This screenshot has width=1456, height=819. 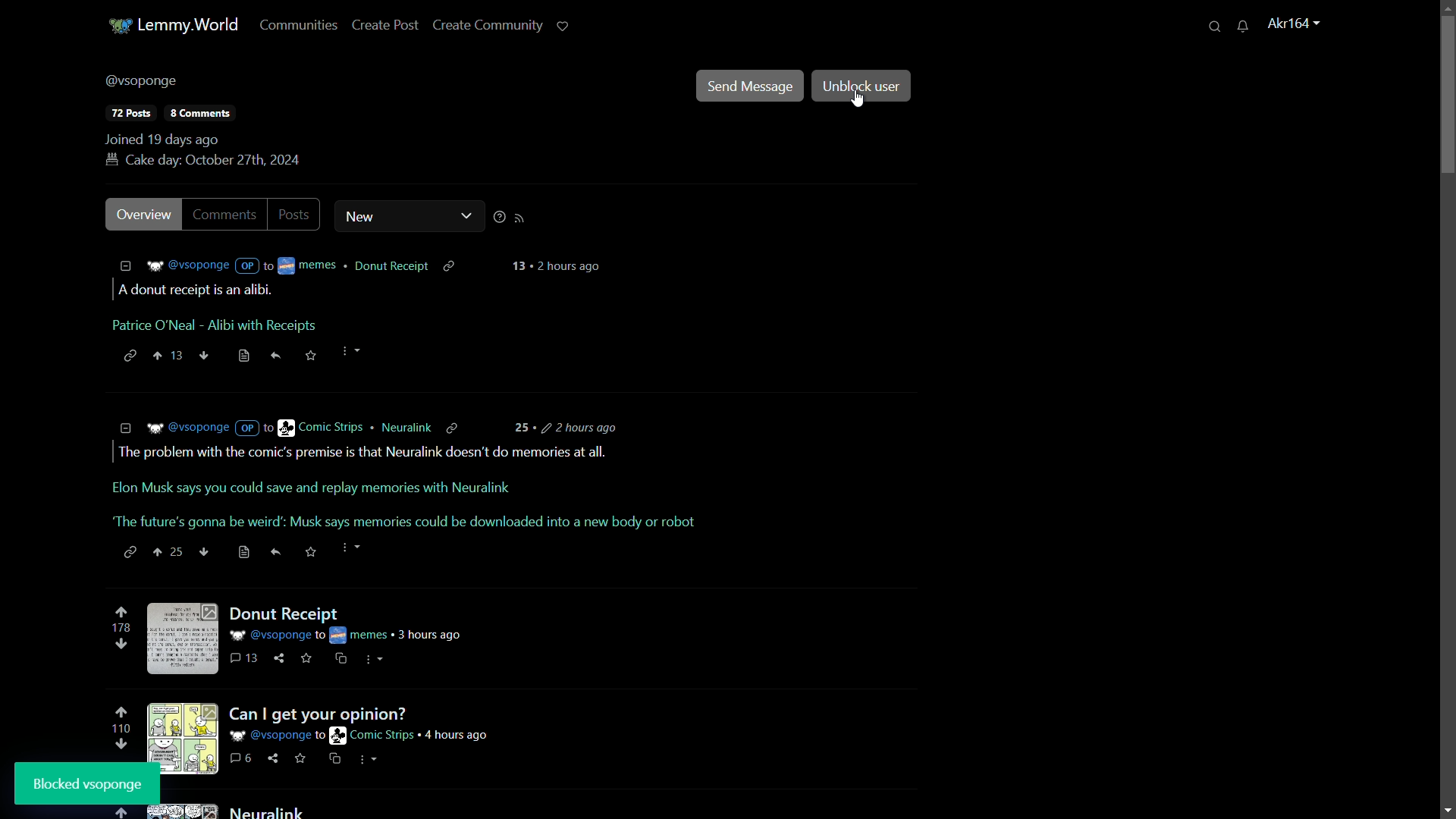 What do you see at coordinates (279, 662) in the screenshot?
I see `share` at bounding box center [279, 662].